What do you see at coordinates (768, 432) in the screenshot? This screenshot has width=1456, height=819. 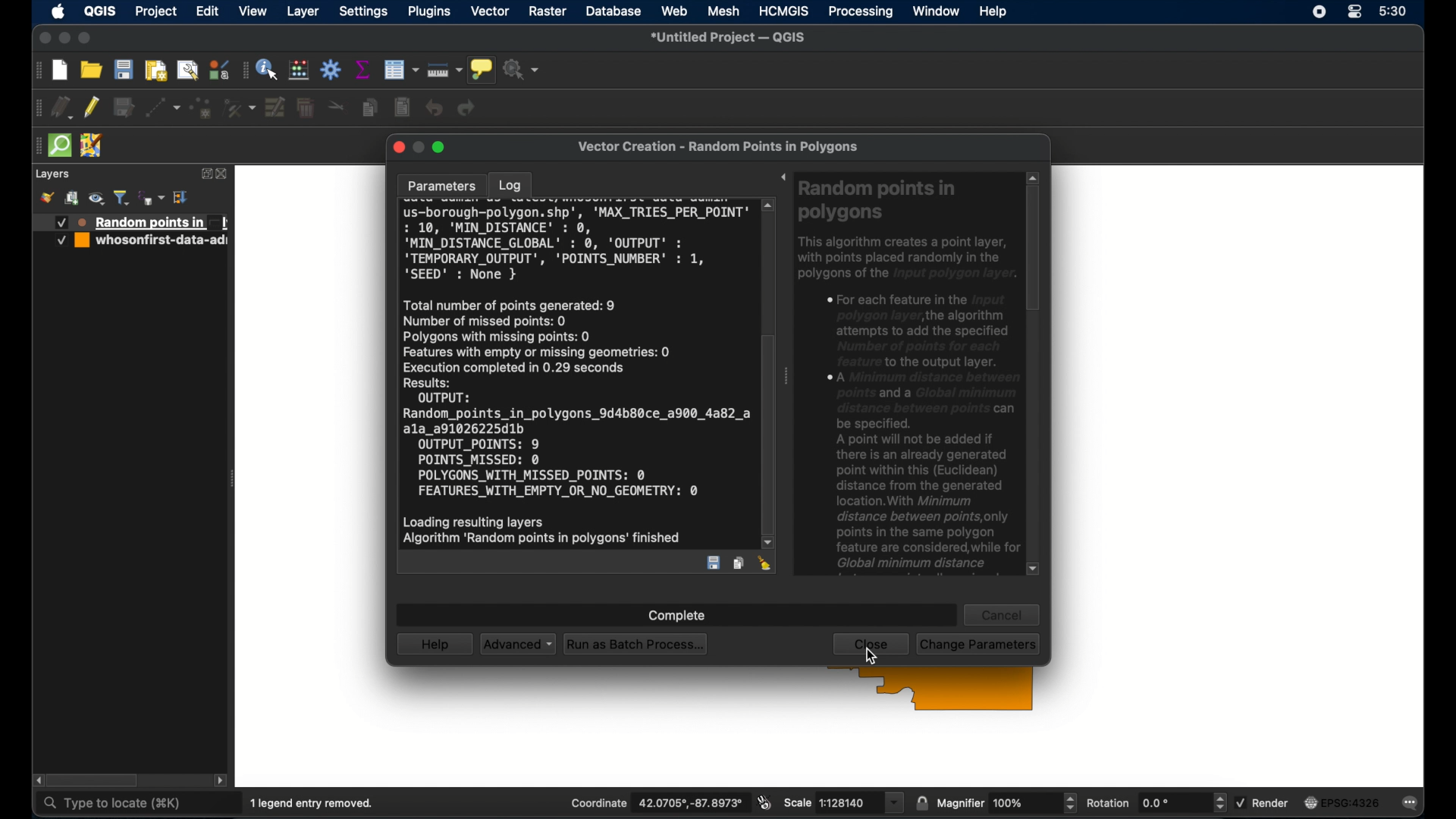 I see `scroll box` at bounding box center [768, 432].